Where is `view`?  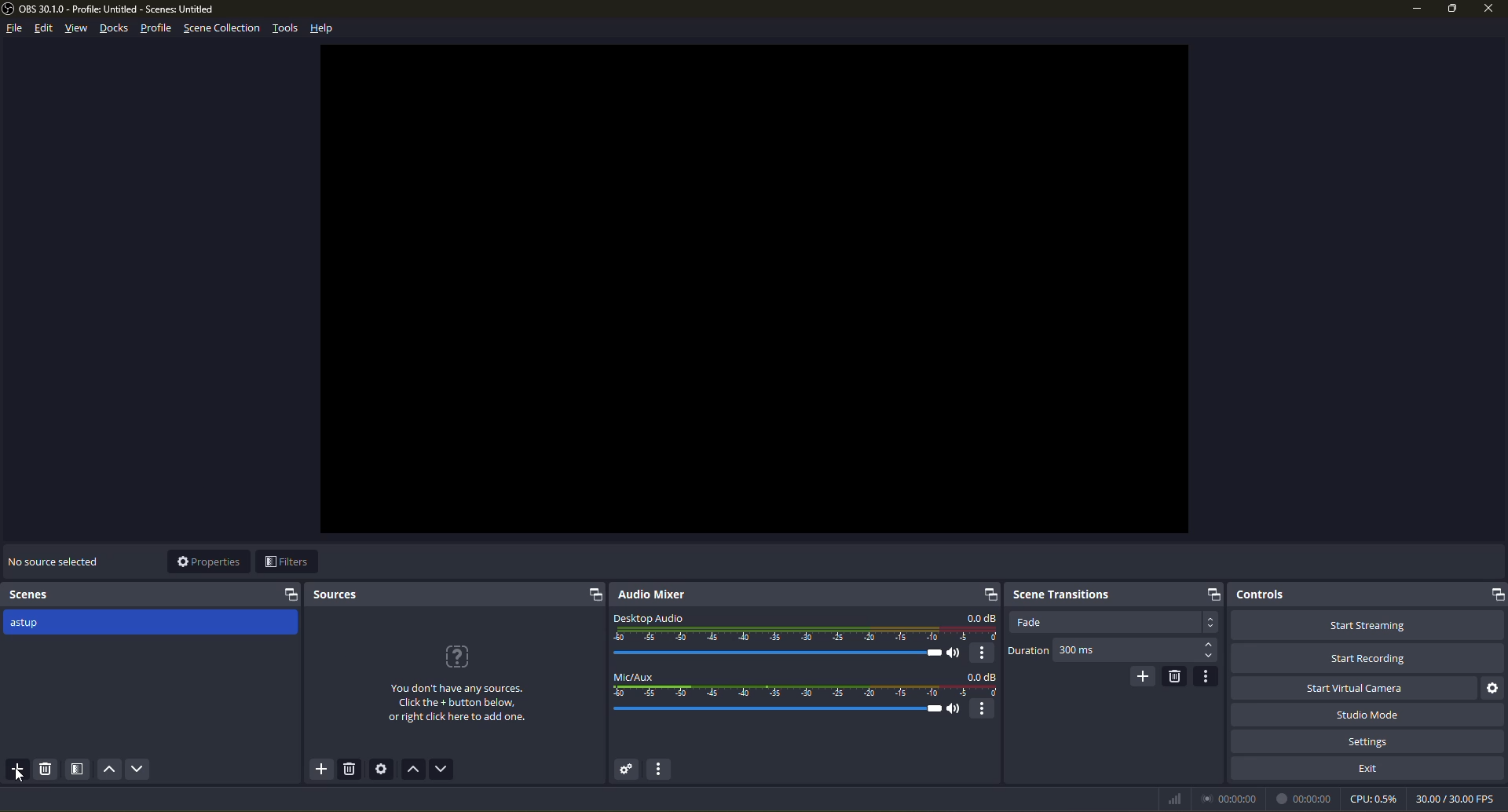
view is located at coordinates (77, 27).